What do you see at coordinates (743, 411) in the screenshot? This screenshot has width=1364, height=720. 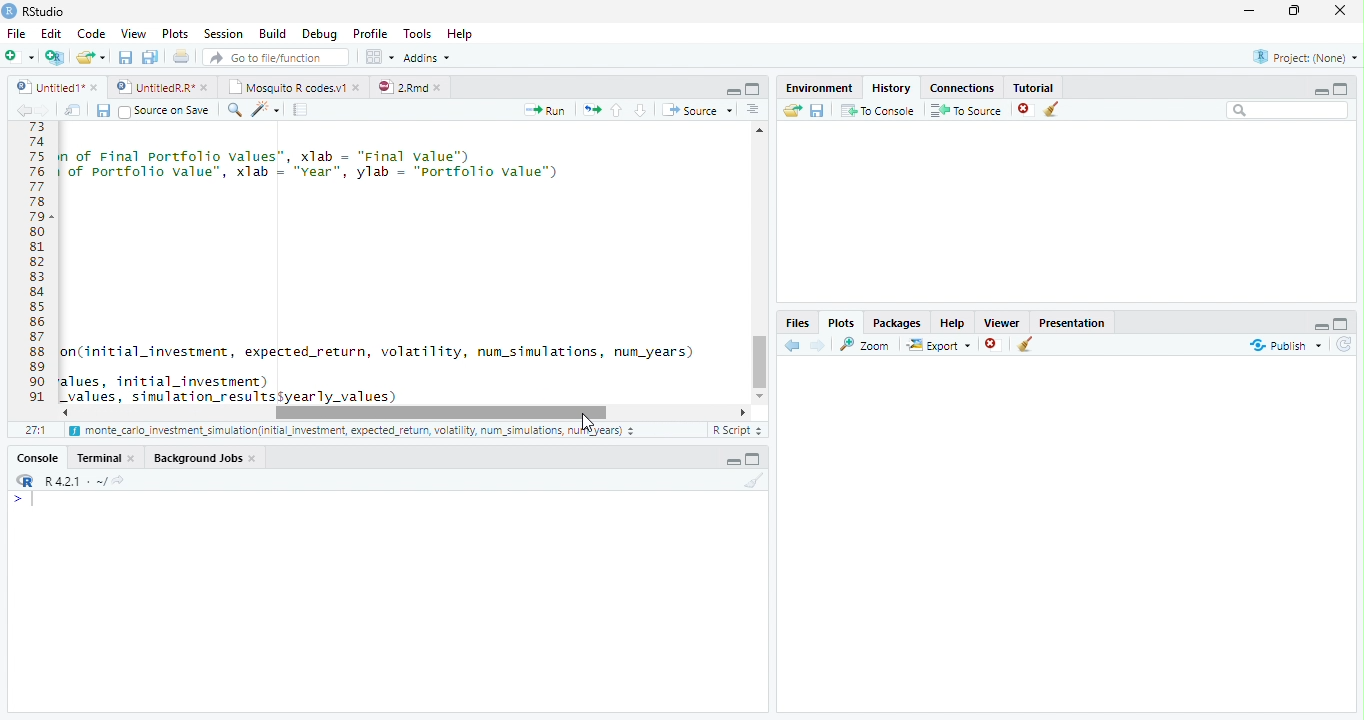 I see `Scroll Right` at bounding box center [743, 411].